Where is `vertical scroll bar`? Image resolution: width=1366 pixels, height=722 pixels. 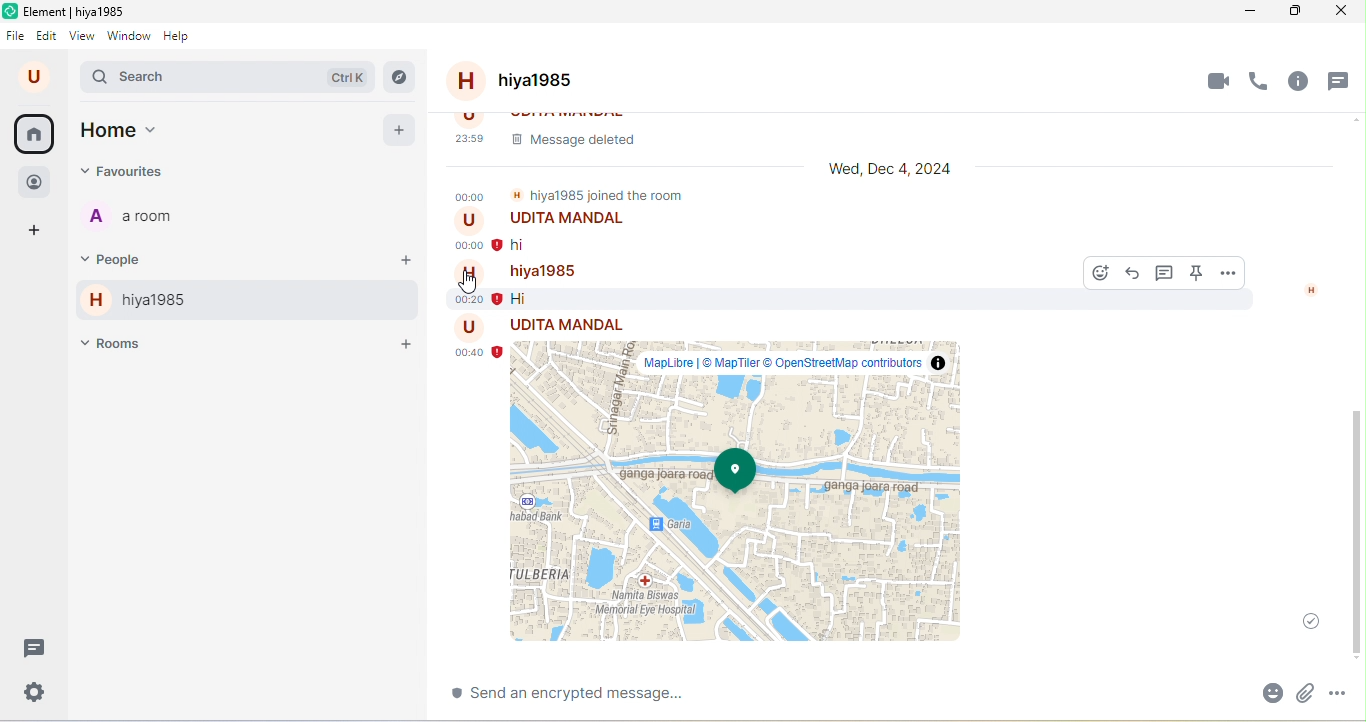
vertical scroll bar is located at coordinates (1353, 521).